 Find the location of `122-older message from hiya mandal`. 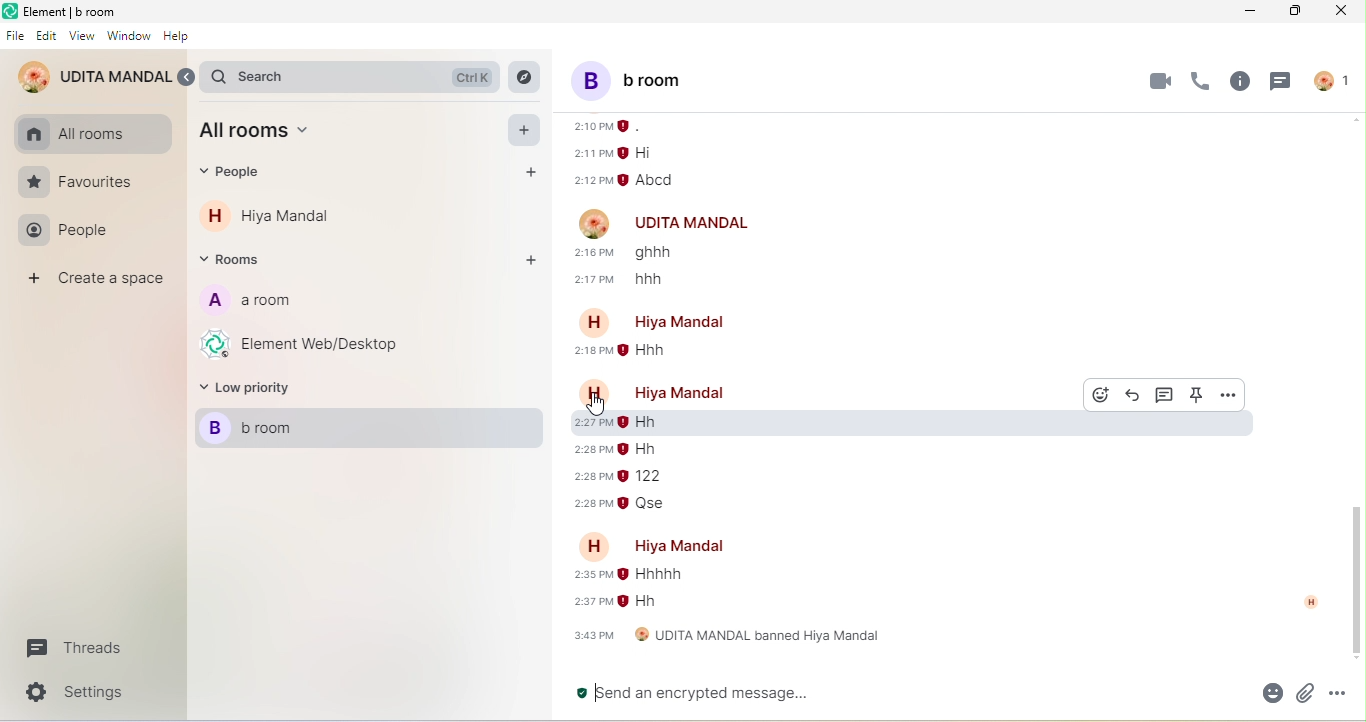

122-older message from hiya mandal is located at coordinates (646, 477).